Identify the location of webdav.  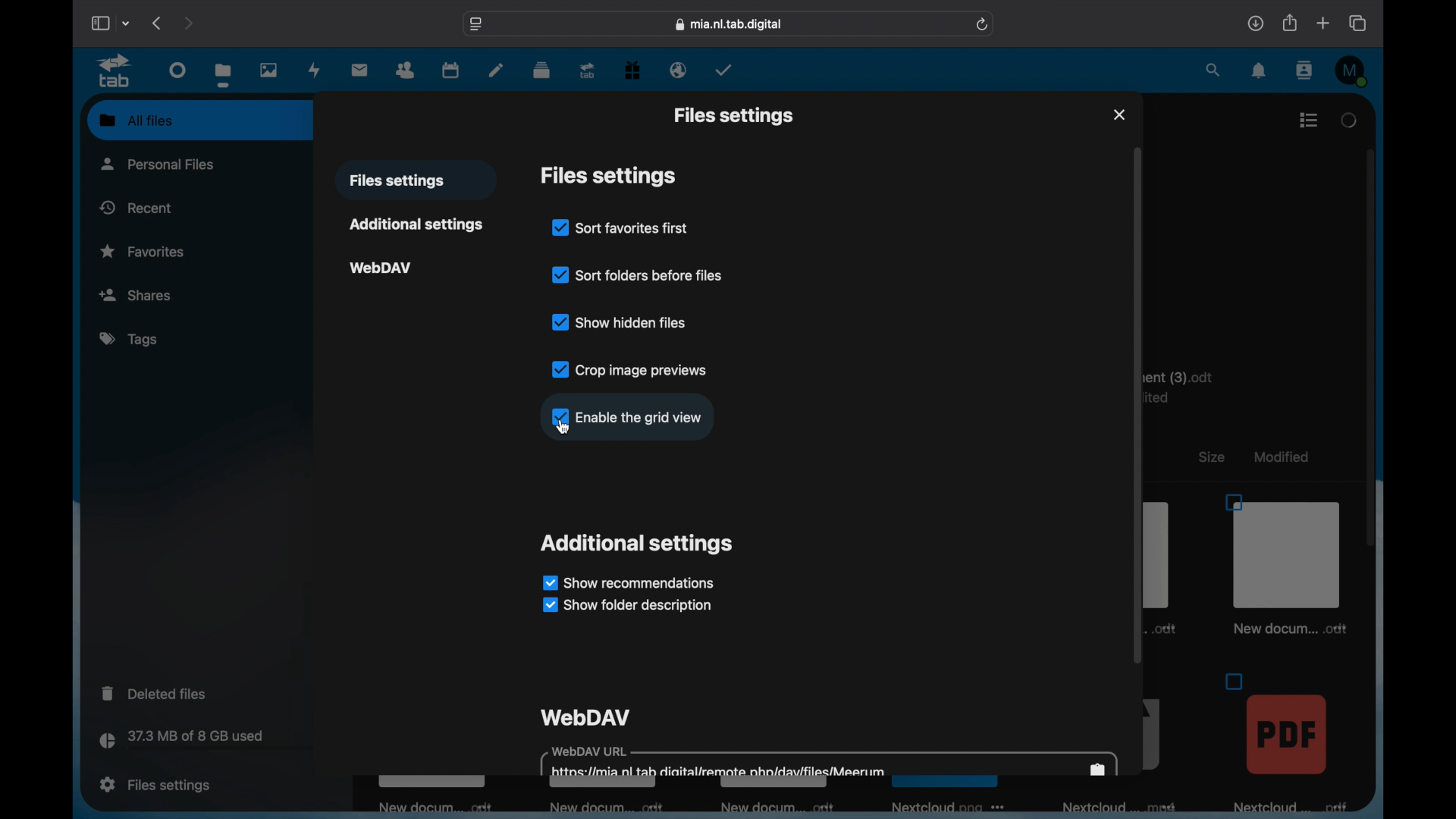
(381, 266).